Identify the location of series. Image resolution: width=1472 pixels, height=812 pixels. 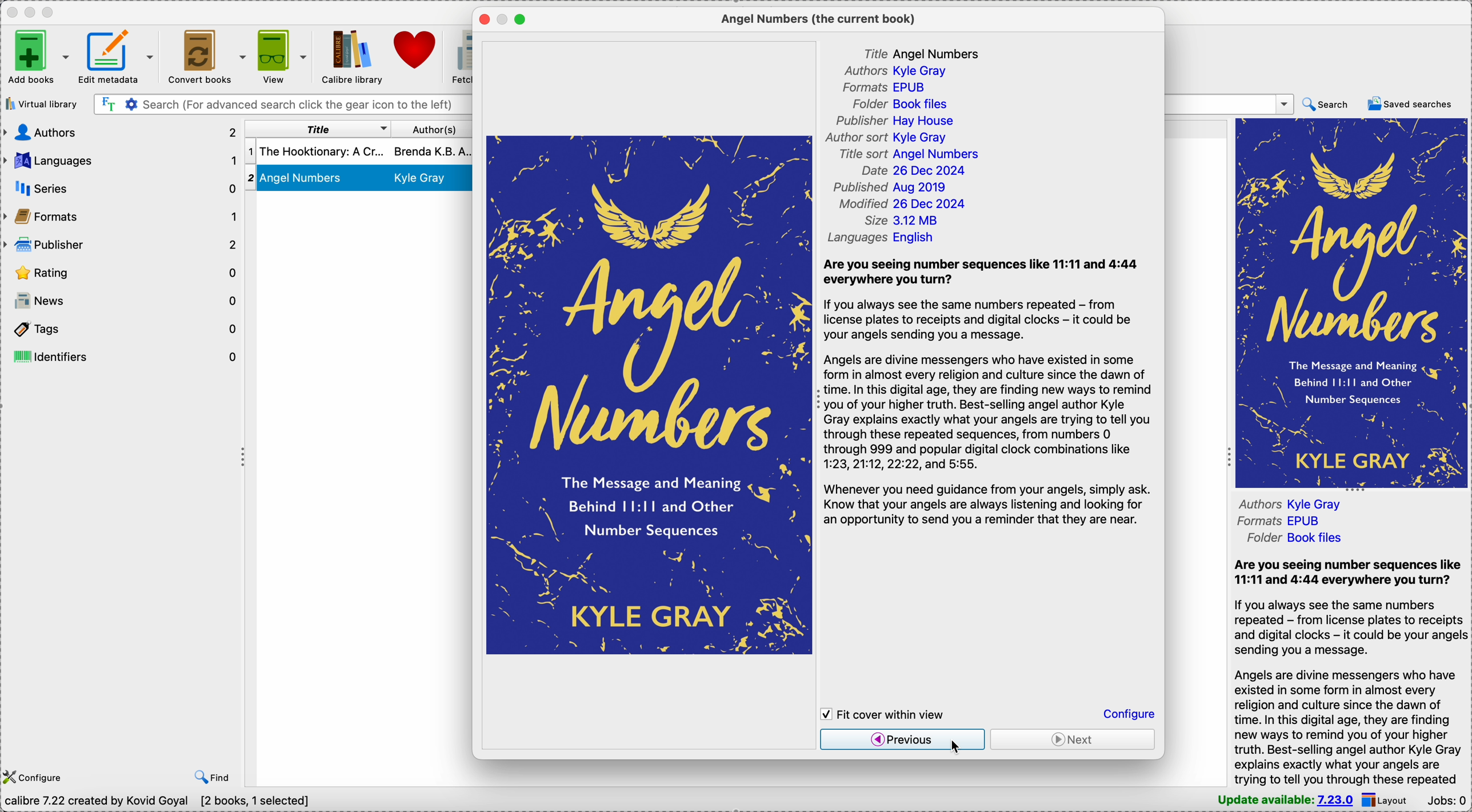
(119, 189).